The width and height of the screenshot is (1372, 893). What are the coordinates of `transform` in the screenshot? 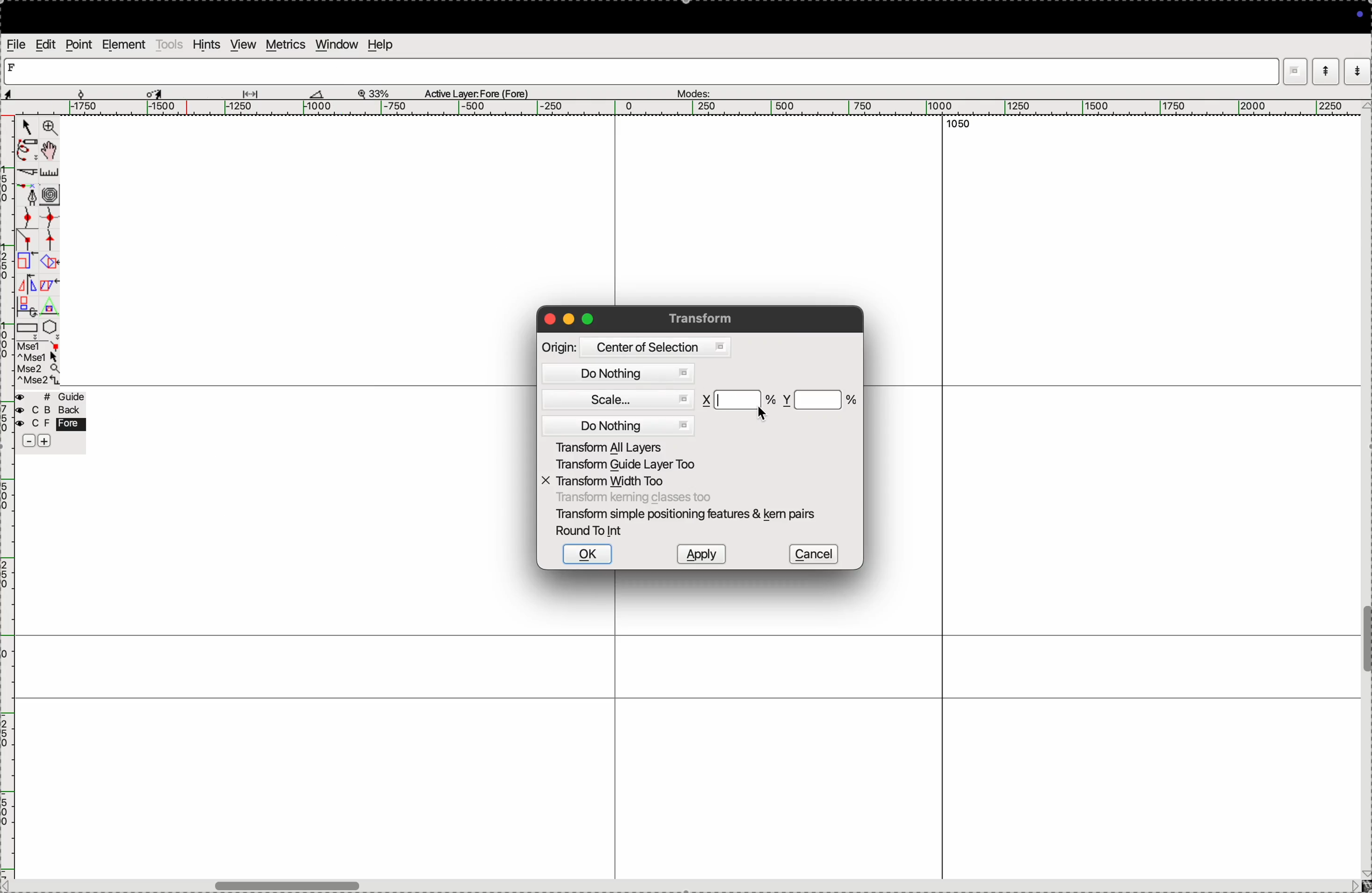 It's located at (704, 318).